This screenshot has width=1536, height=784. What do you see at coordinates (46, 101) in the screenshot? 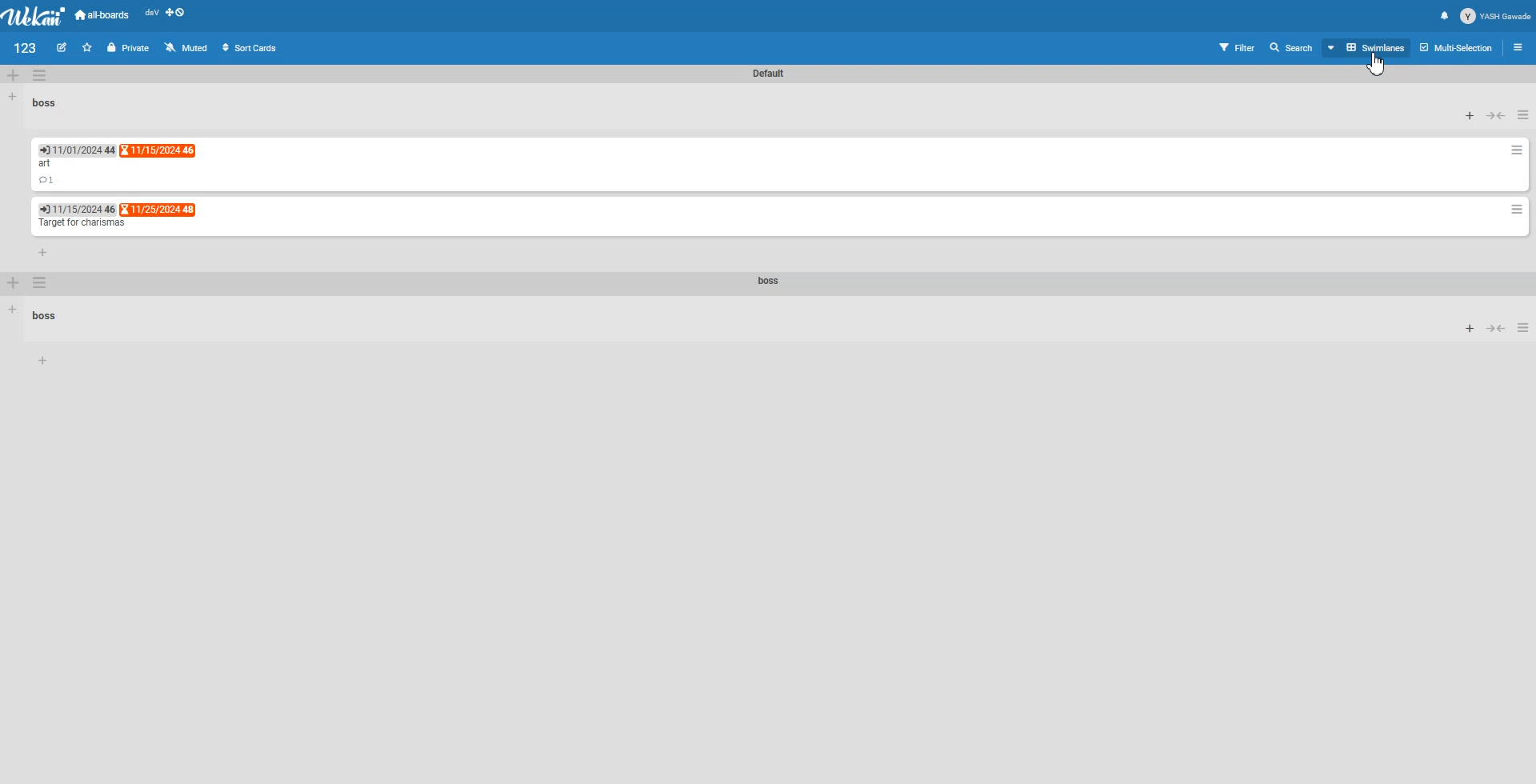
I see `Text` at bounding box center [46, 101].